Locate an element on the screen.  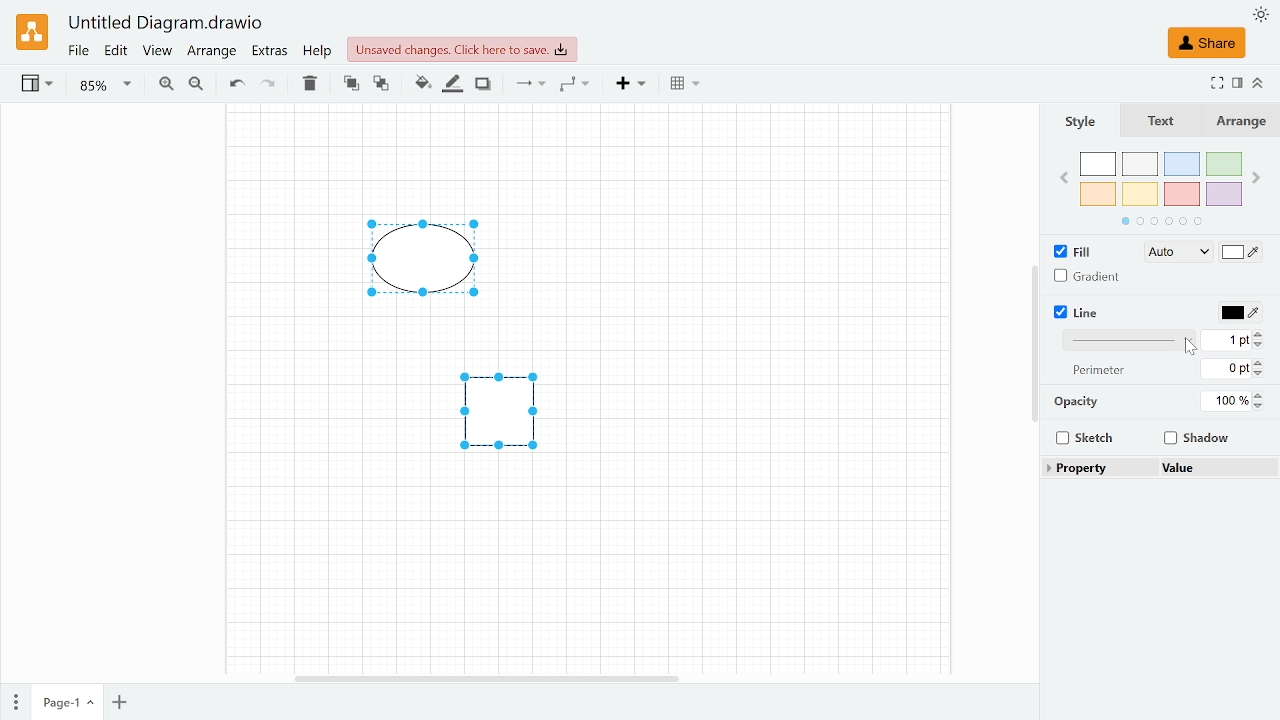
Edit is located at coordinates (117, 52).